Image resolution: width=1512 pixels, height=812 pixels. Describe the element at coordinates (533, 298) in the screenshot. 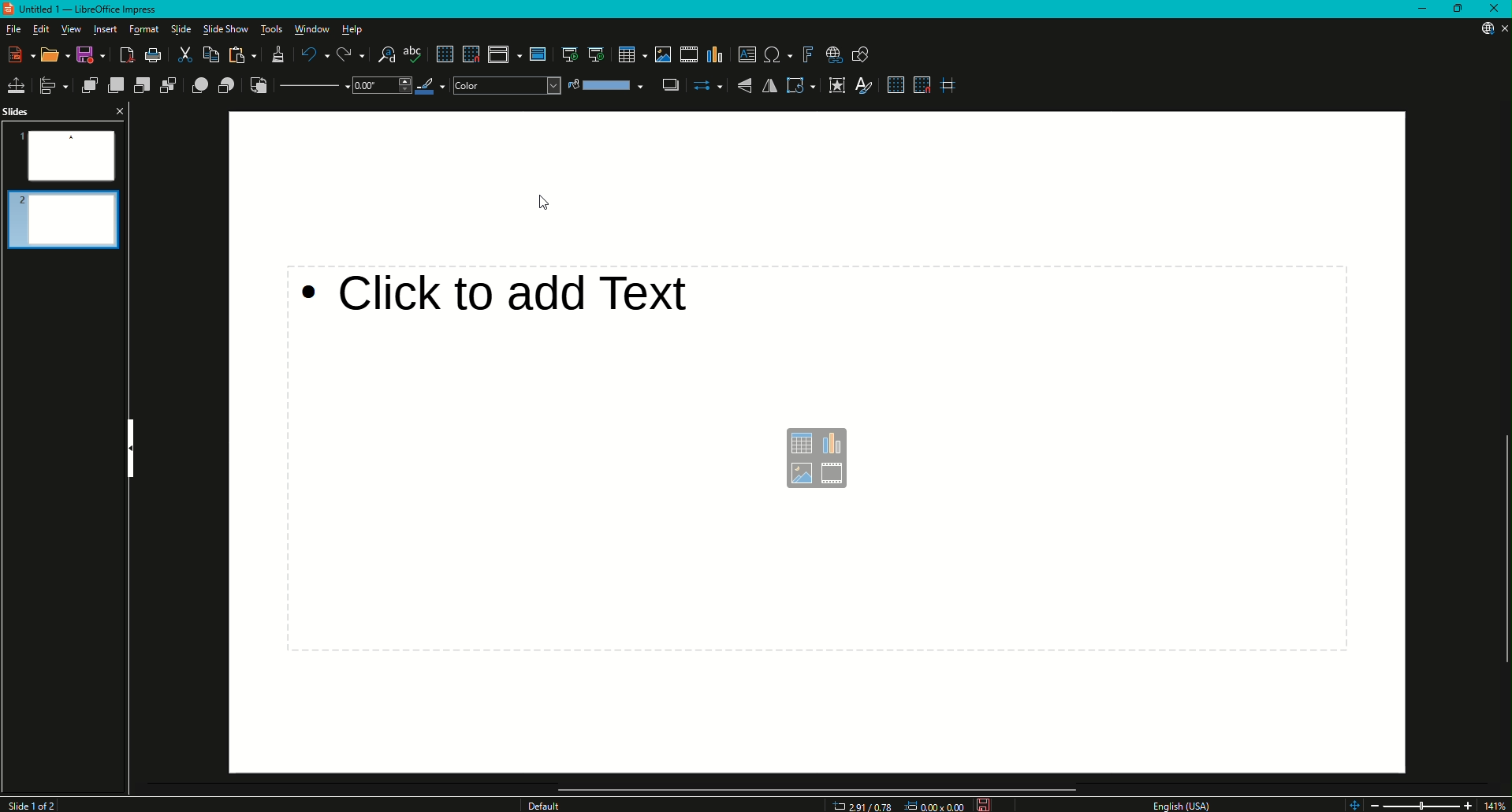

I see `Click to add text` at that location.